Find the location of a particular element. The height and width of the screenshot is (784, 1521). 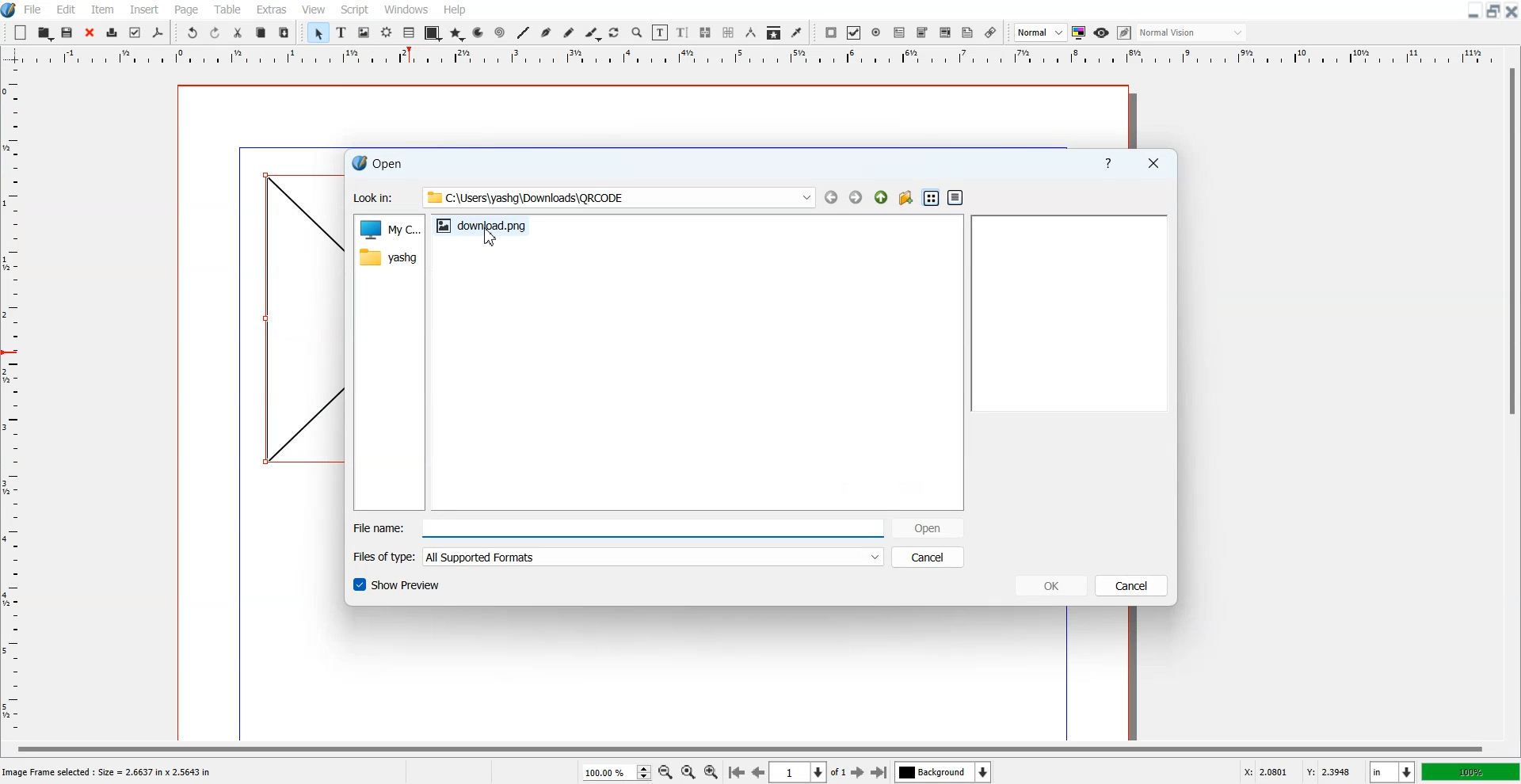

Item is located at coordinates (102, 9).